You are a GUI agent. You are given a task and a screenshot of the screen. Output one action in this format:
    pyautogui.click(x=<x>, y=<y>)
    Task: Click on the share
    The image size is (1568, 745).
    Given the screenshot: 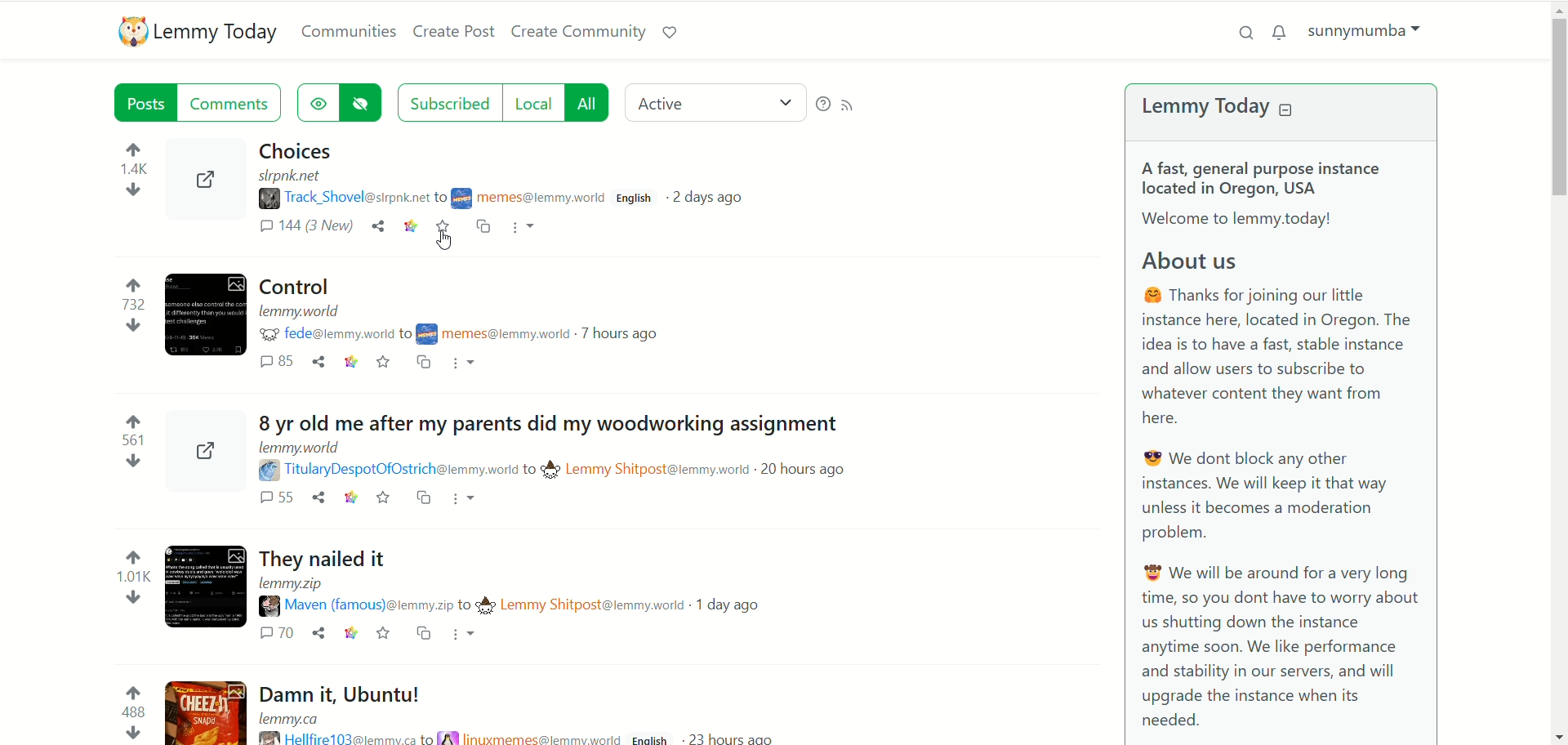 What is the action you would take?
    pyautogui.click(x=318, y=635)
    